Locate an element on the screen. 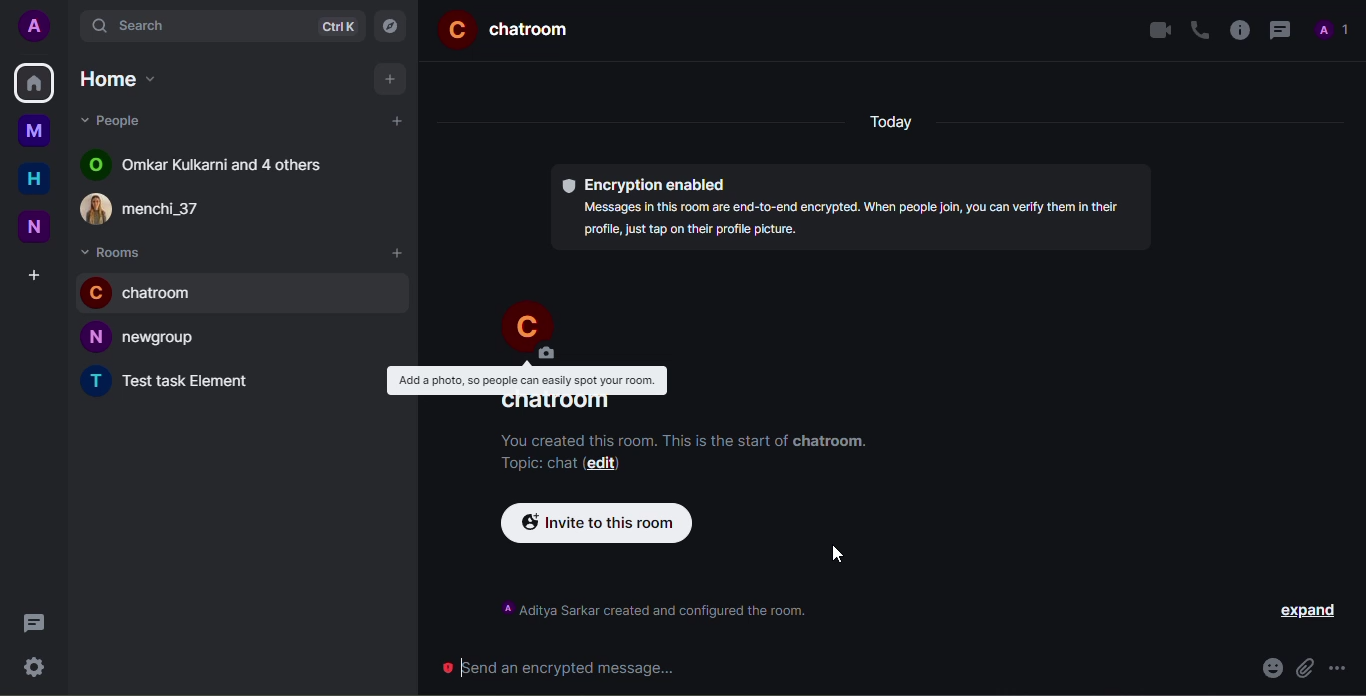  ctrlK is located at coordinates (337, 27).